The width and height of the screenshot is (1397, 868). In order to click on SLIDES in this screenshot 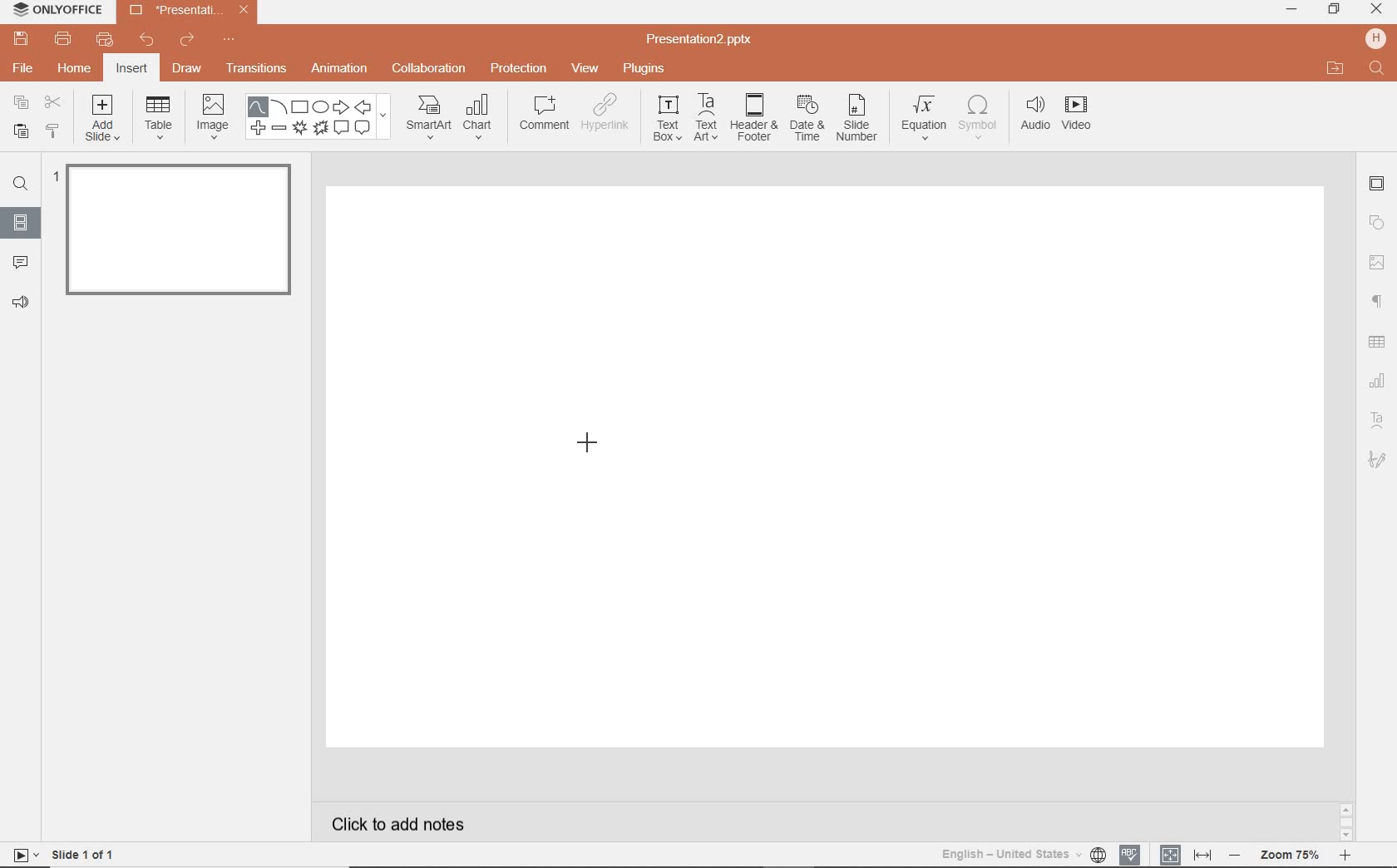, I will do `click(20, 222)`.